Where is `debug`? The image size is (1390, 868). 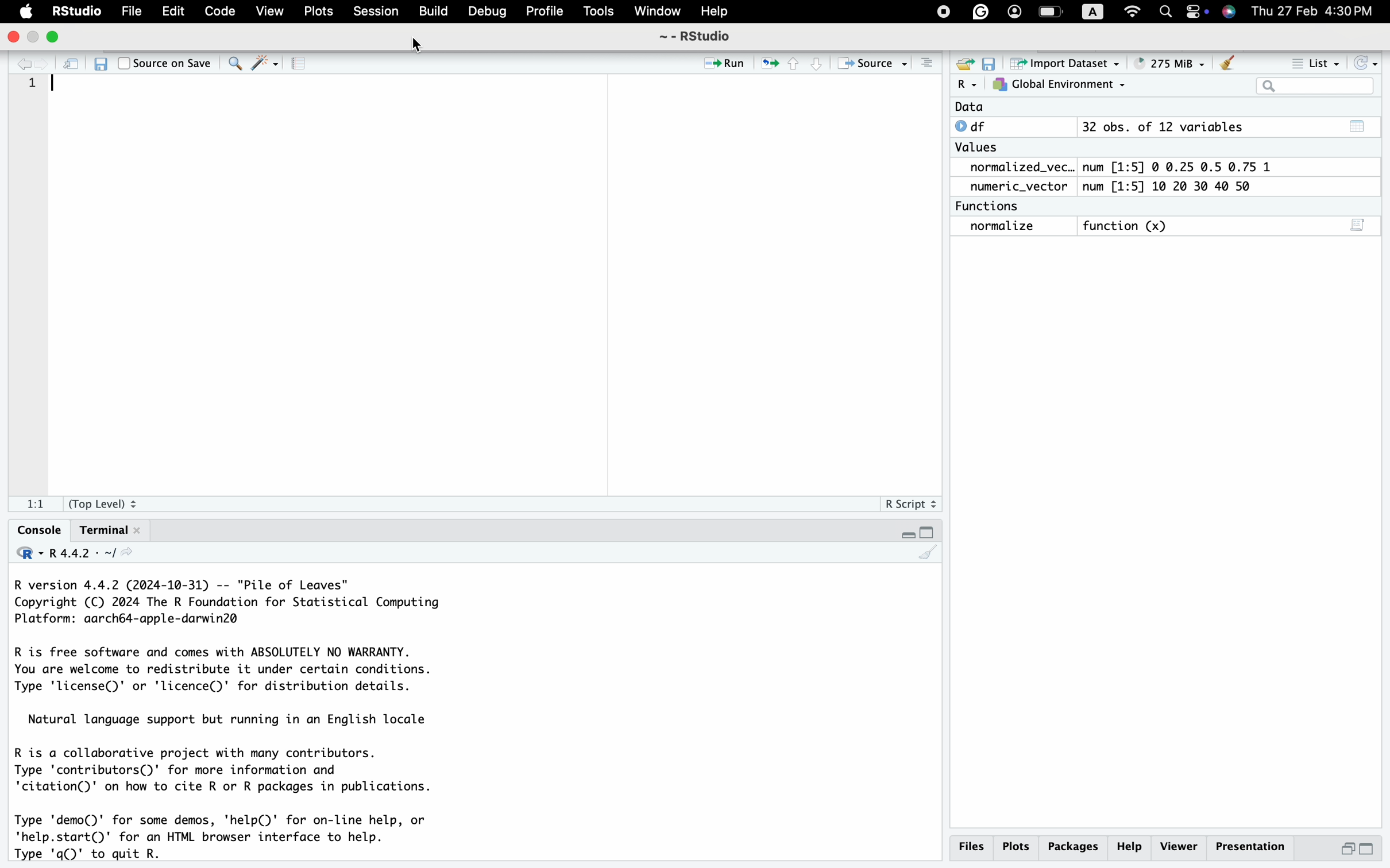 debug is located at coordinates (486, 11).